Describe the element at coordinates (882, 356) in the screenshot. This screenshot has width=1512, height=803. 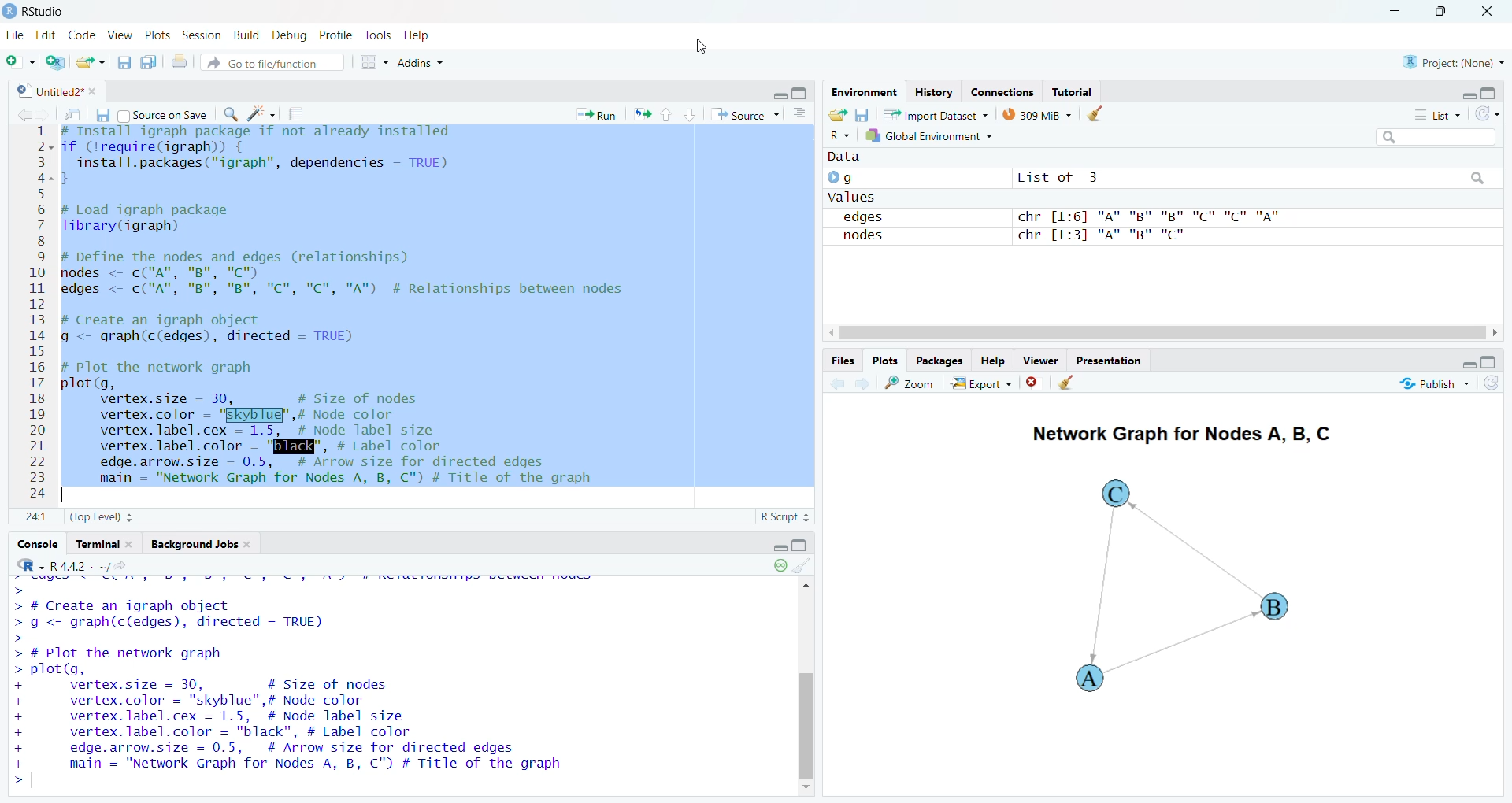
I see `Plots` at that location.